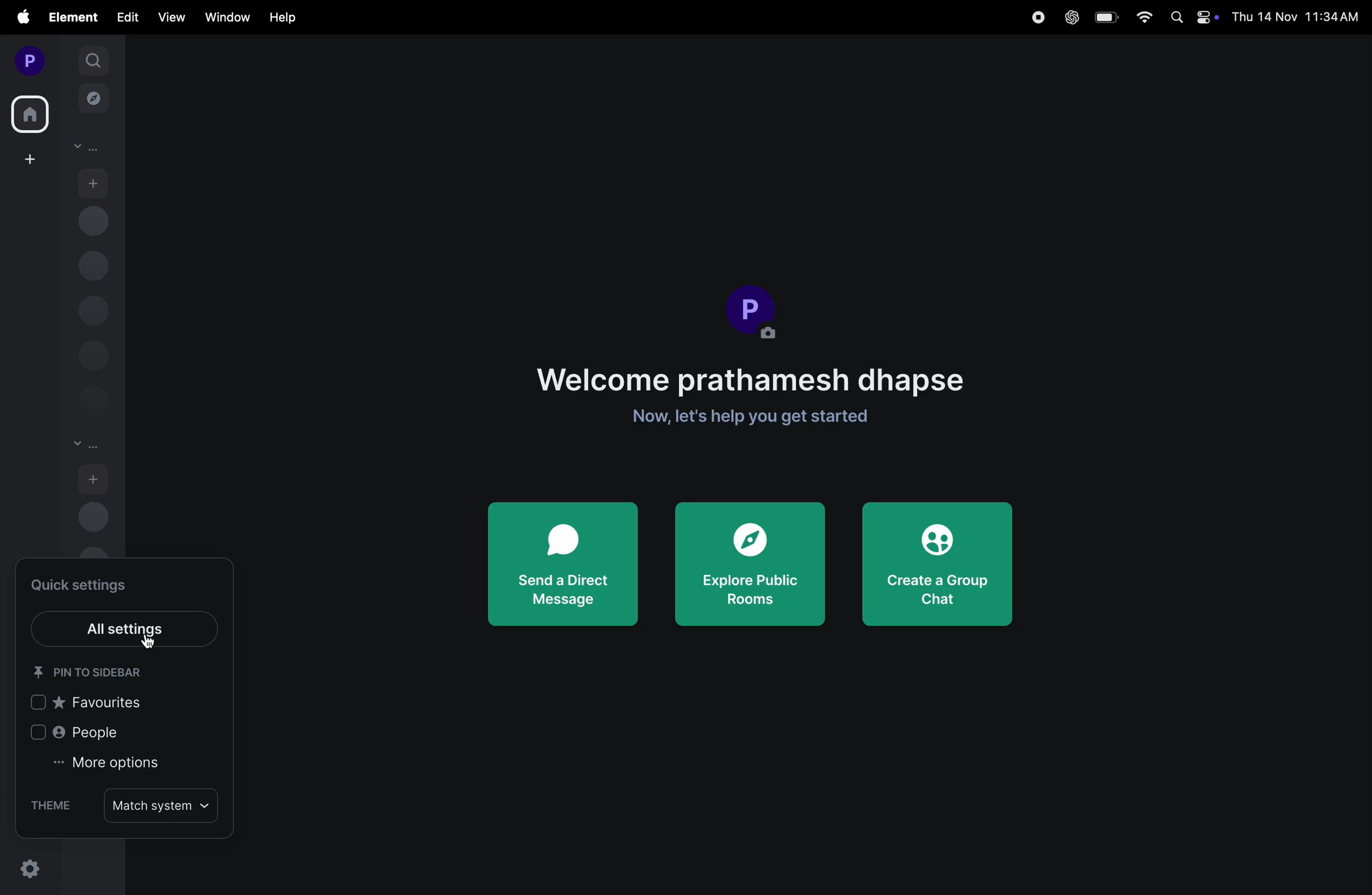  I want to click on send direct msg, so click(566, 562).